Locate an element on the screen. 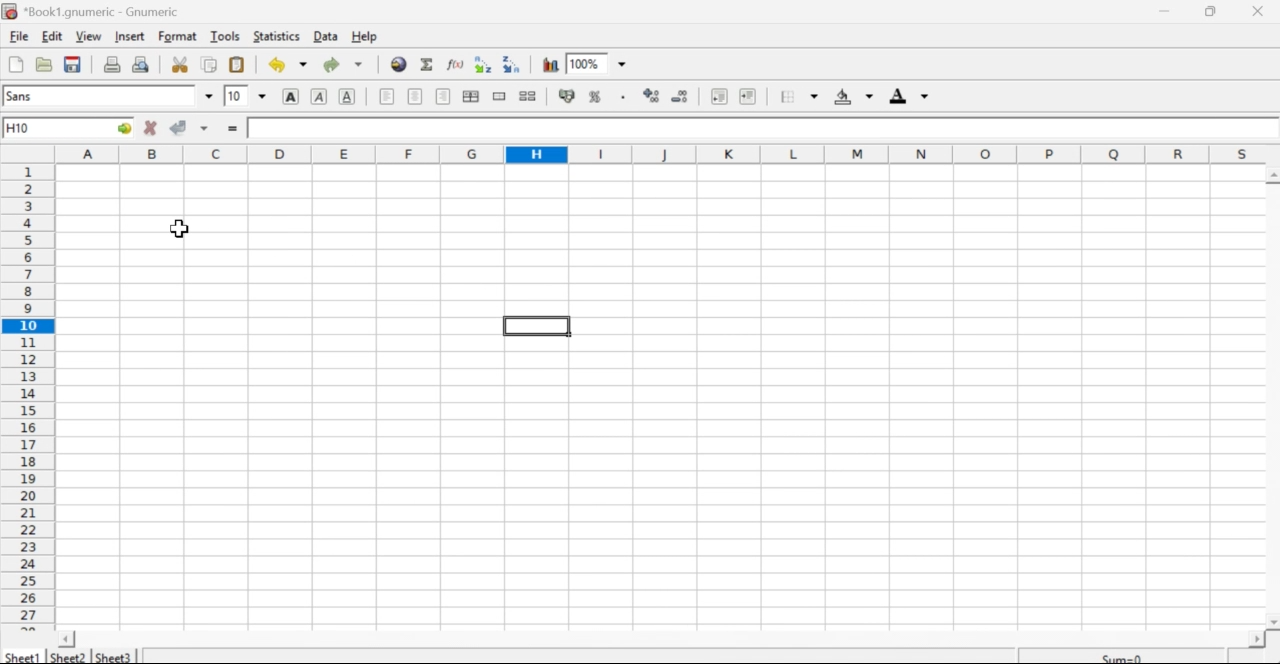 The height and width of the screenshot is (664, 1280). Cell color is located at coordinates (851, 97).